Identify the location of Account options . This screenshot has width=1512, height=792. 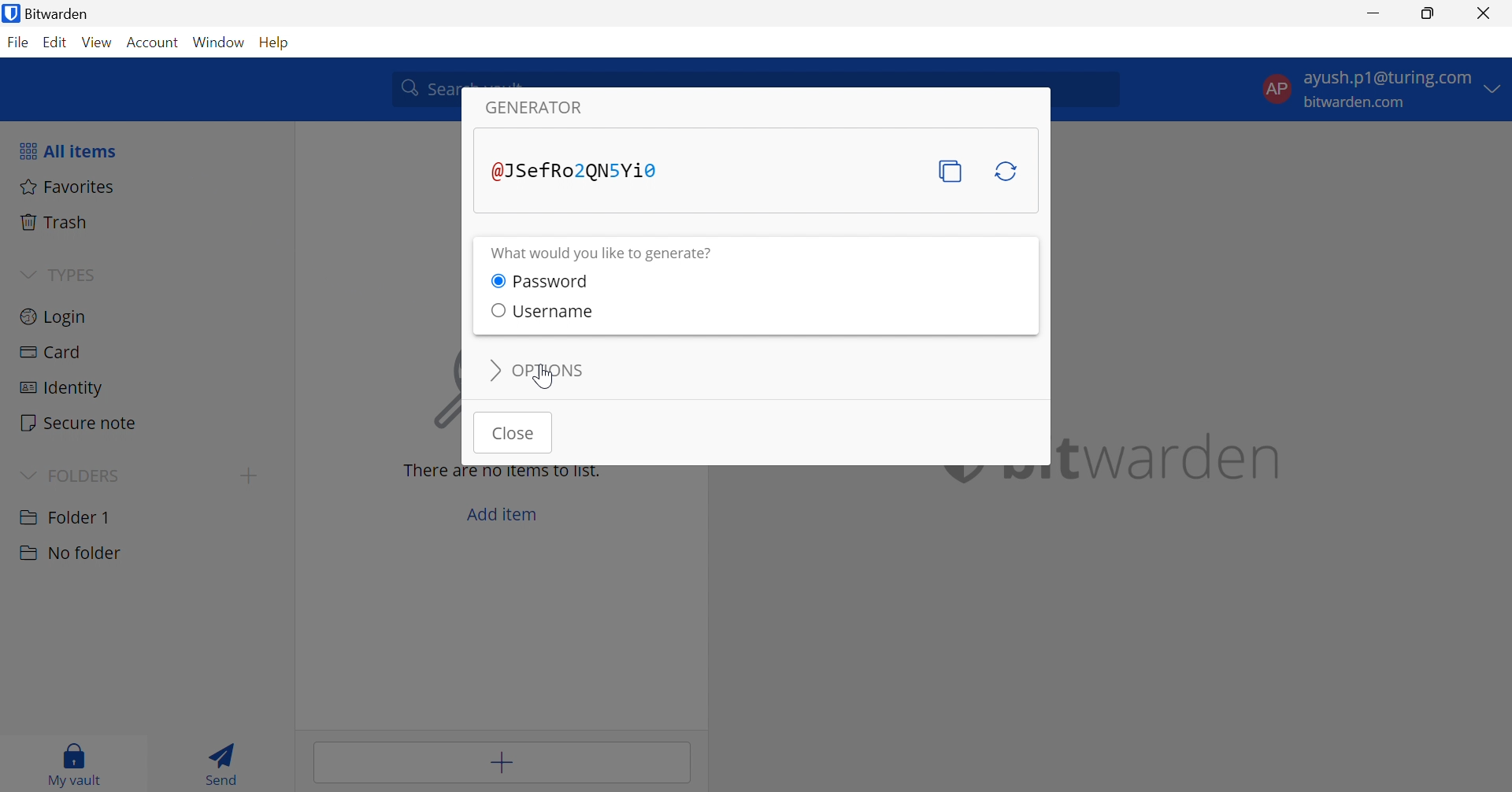
(1385, 90).